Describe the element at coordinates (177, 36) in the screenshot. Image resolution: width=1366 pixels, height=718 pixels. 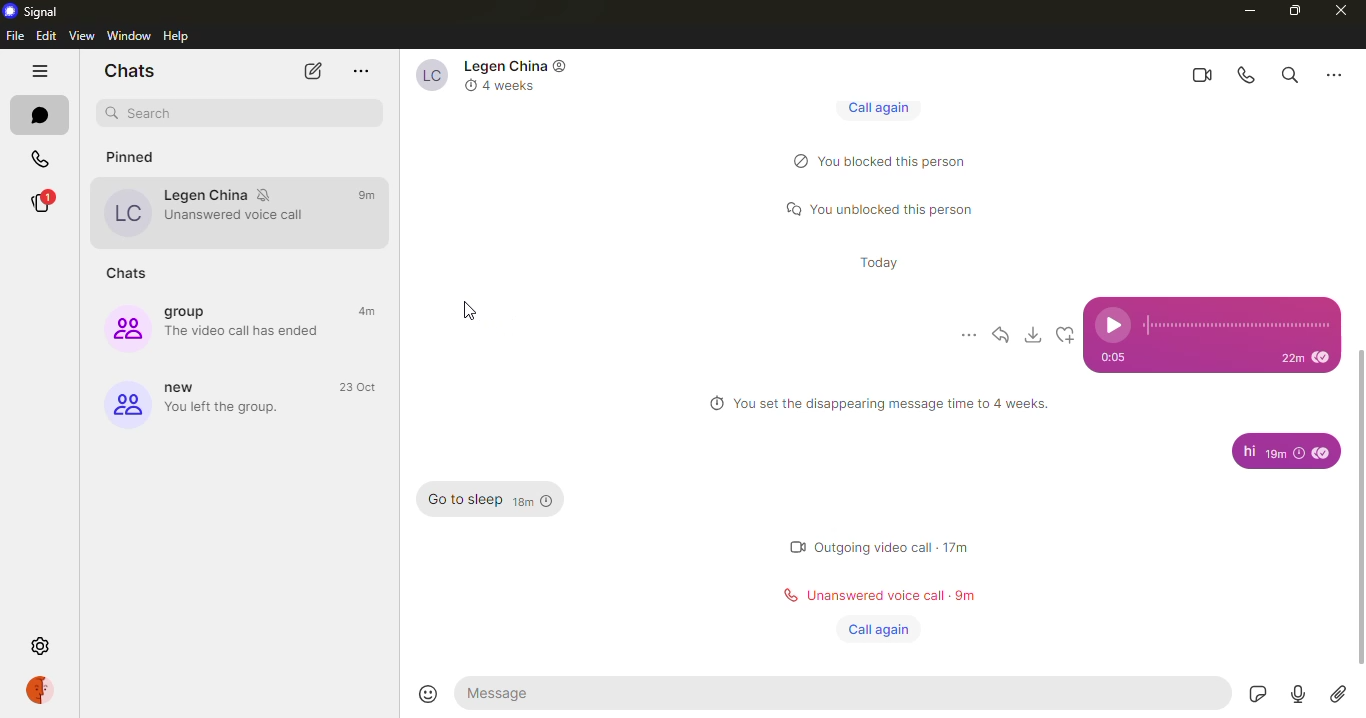
I see `help` at that location.